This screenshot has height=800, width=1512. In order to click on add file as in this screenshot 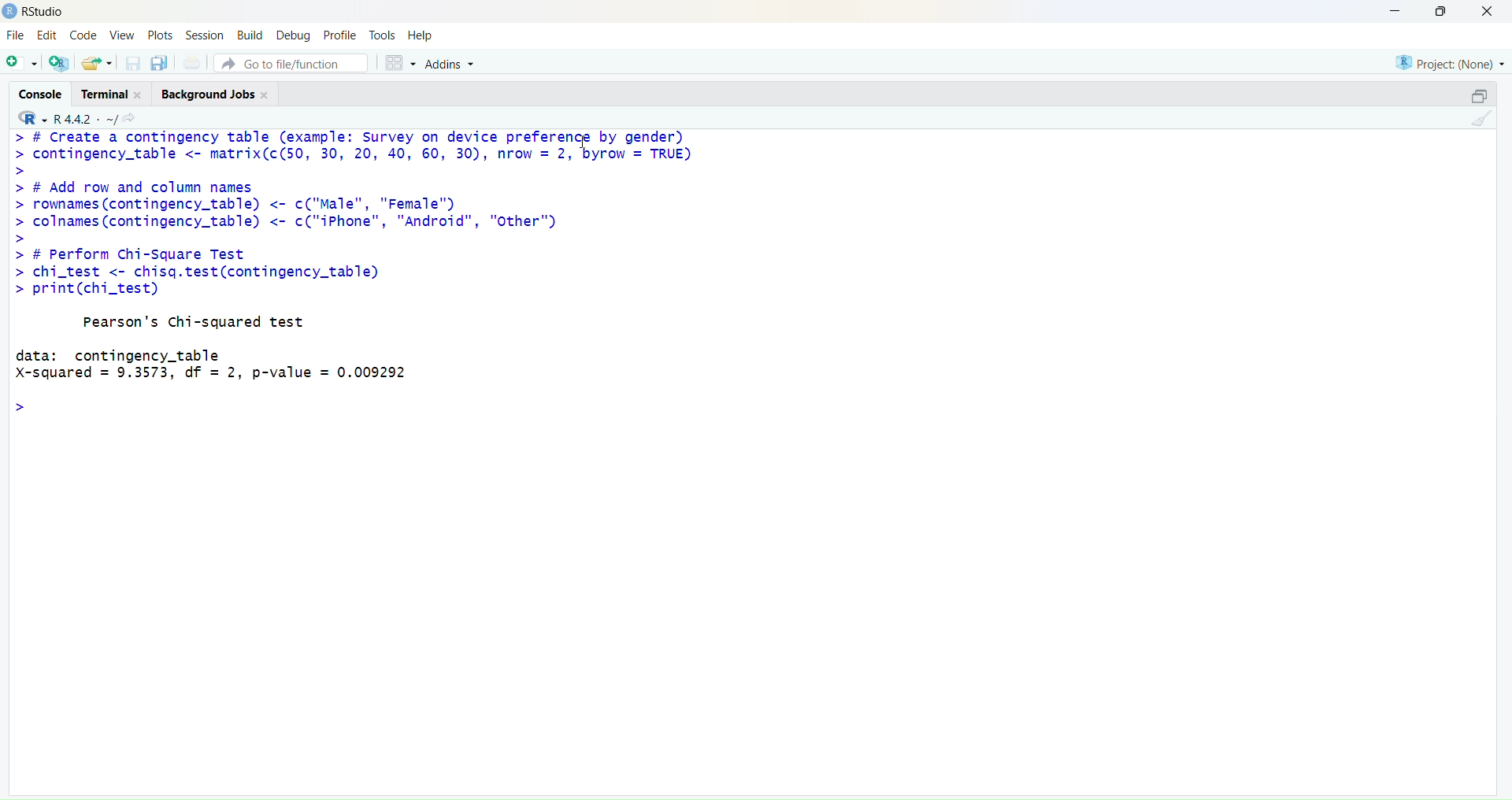, I will do `click(23, 63)`.